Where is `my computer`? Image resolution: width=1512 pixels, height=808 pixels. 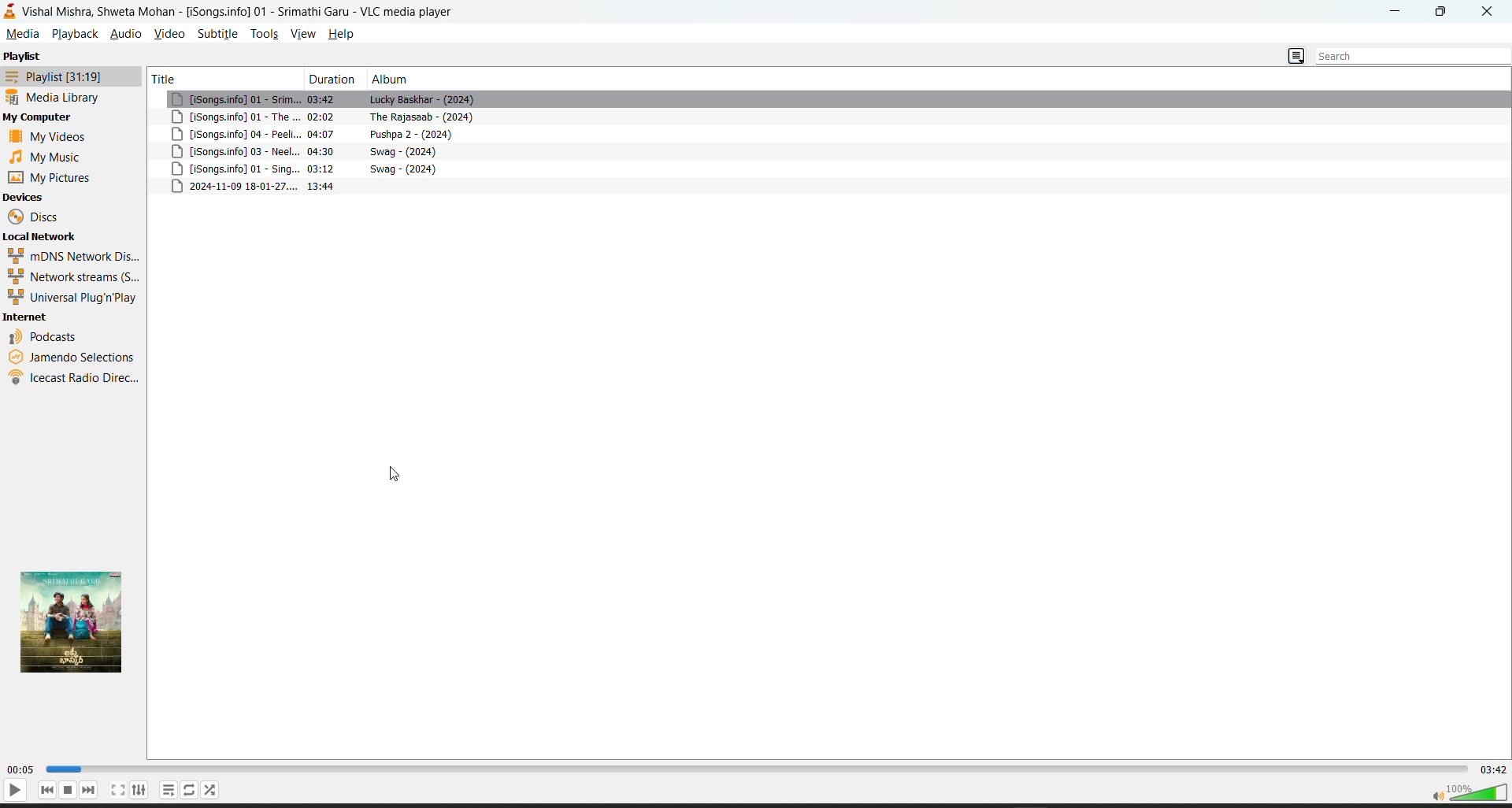
my computer is located at coordinates (46, 118).